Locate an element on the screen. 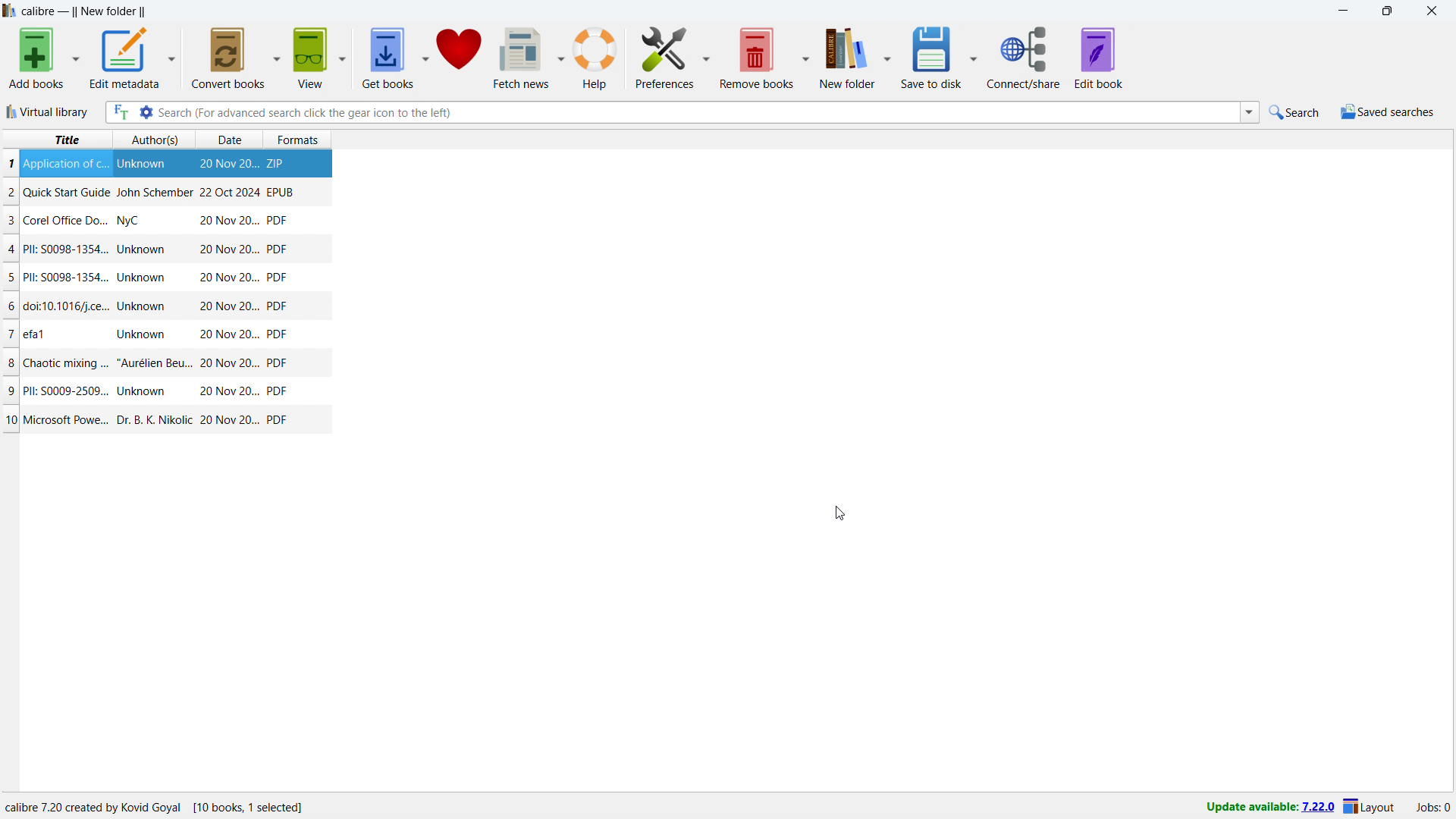 This screenshot has height=819, width=1456. 1 is located at coordinates (11, 163).